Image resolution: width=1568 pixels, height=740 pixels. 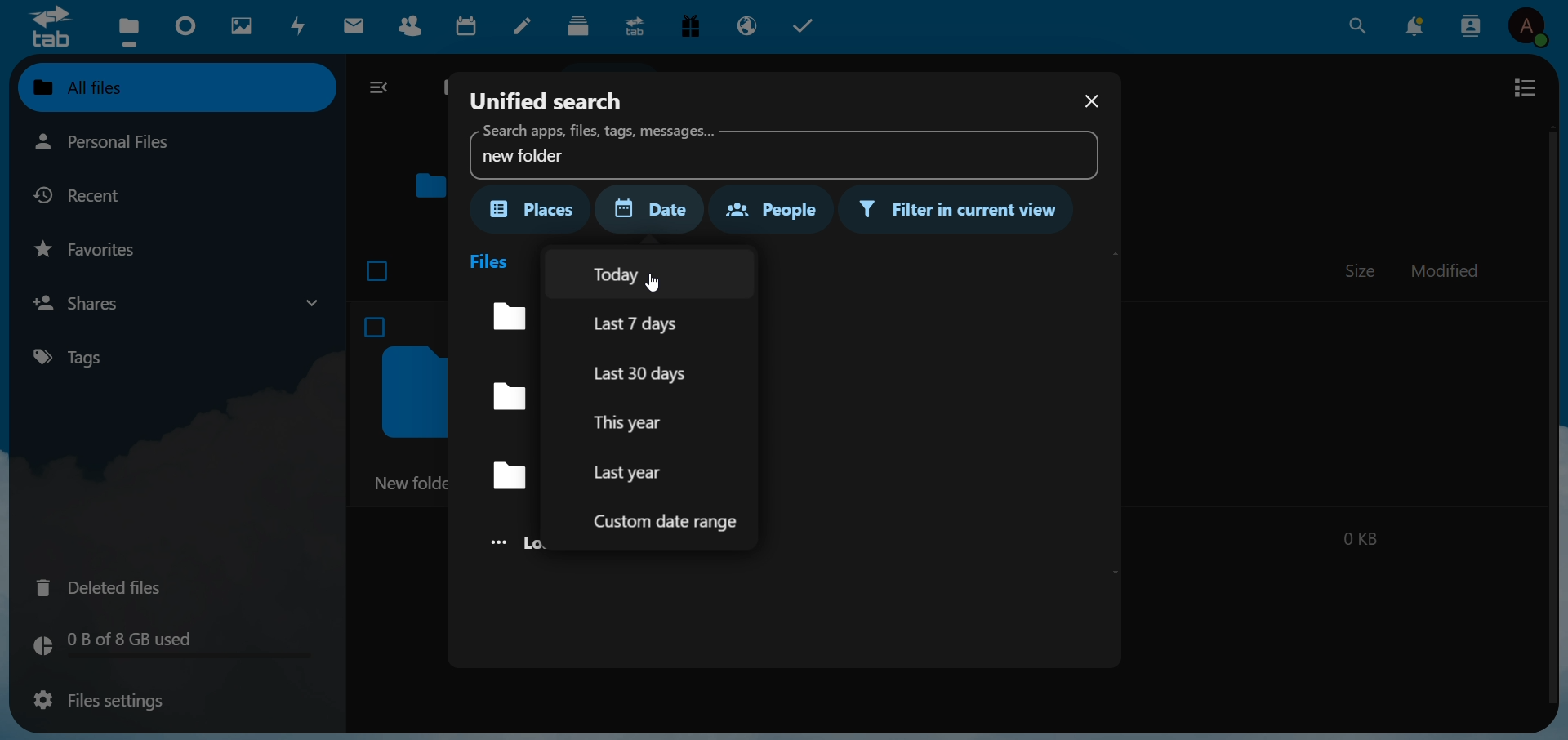 I want to click on all files, so click(x=173, y=87).